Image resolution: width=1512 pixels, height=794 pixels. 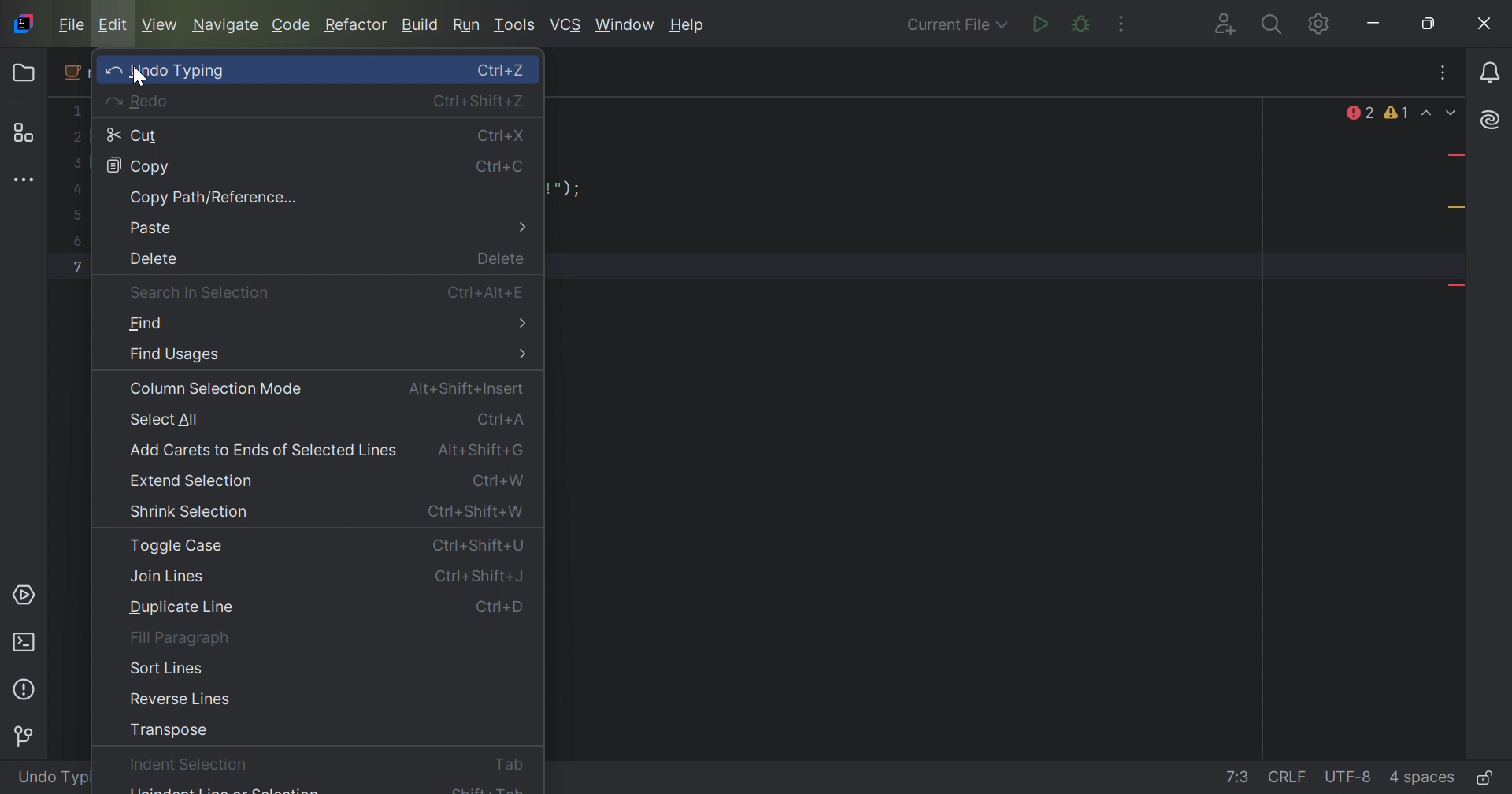 What do you see at coordinates (22, 132) in the screenshot?
I see `Structure` at bounding box center [22, 132].